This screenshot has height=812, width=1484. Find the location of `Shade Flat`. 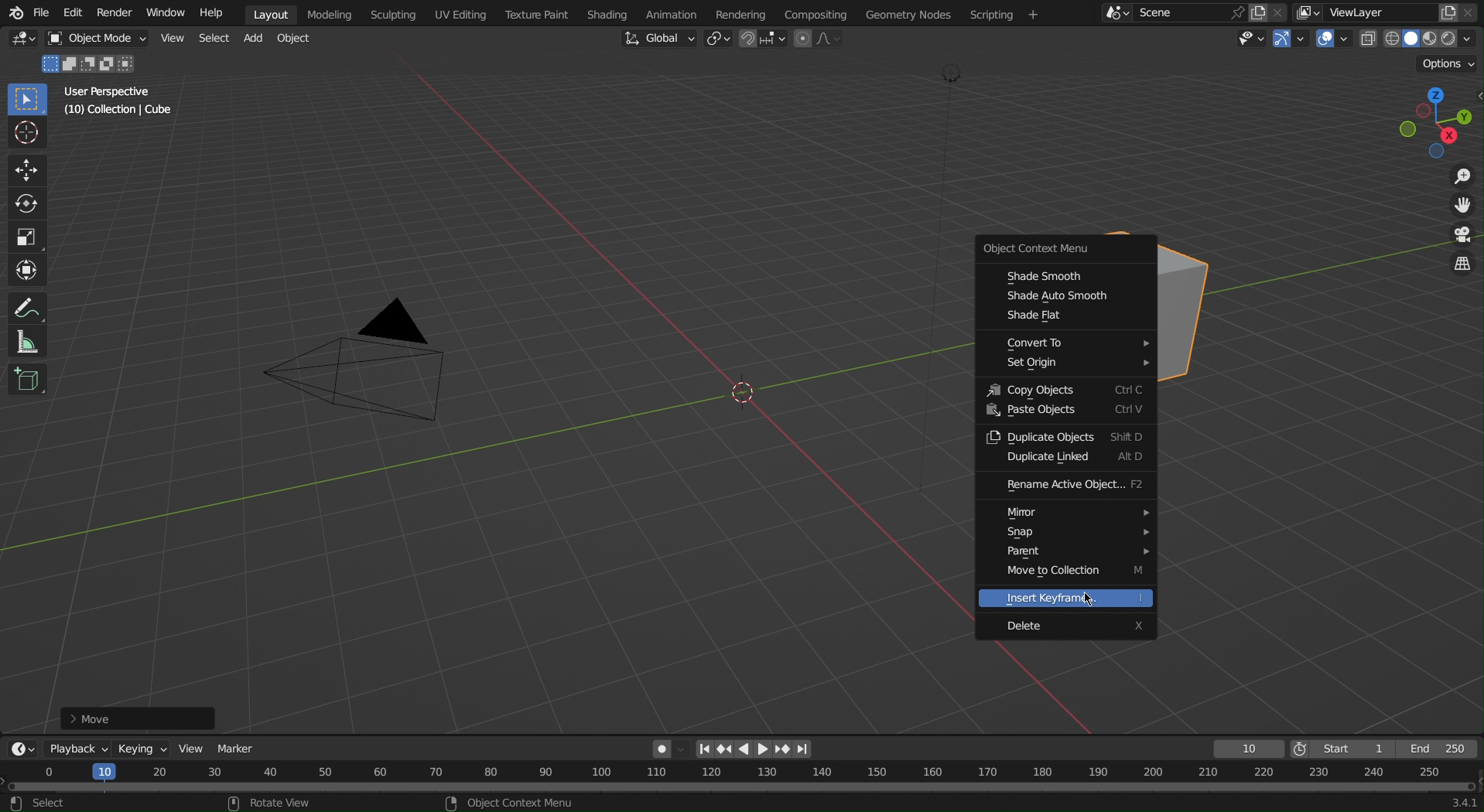

Shade Flat is located at coordinates (1062, 319).